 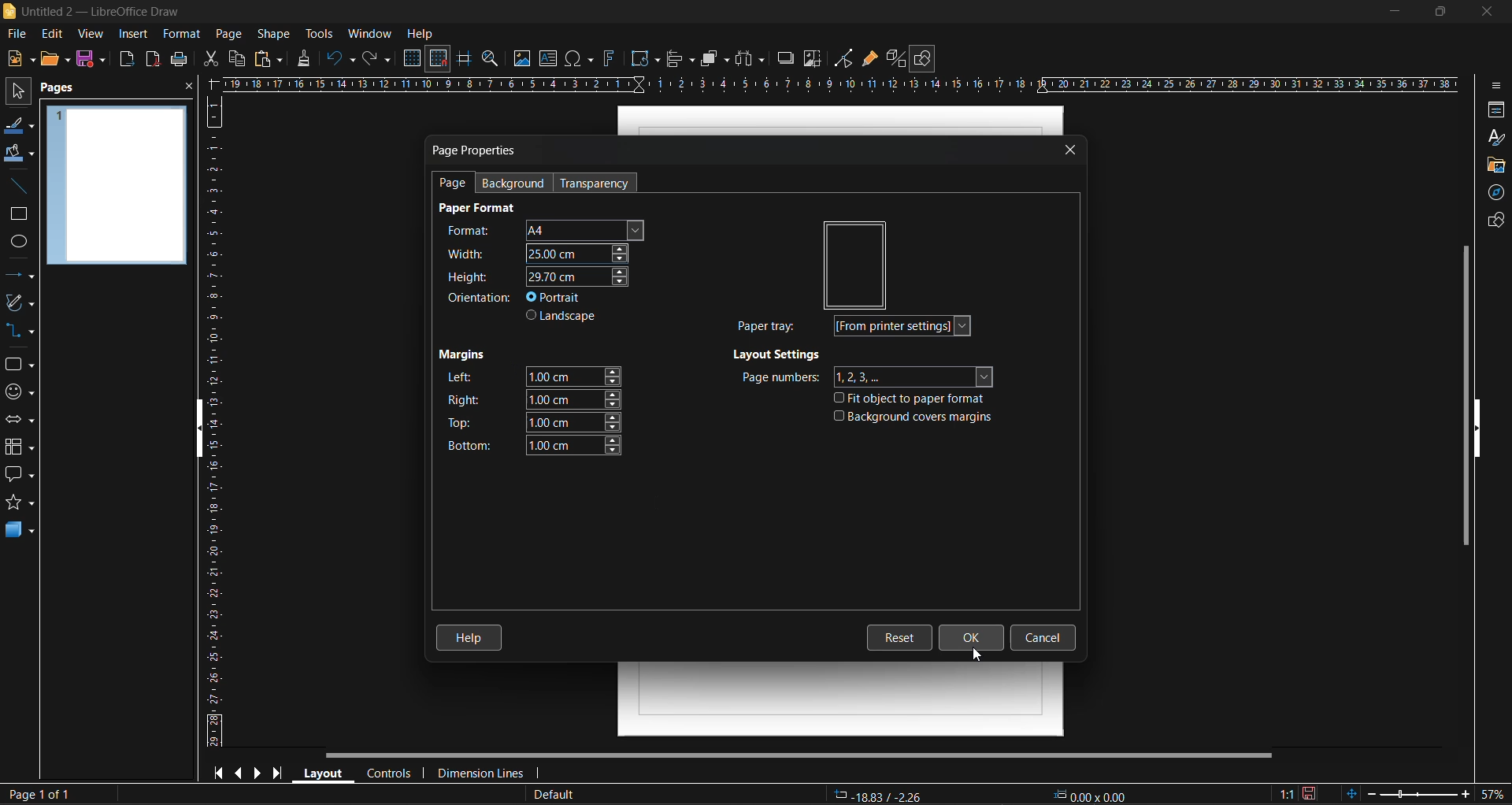 I want to click on hide, so click(x=192, y=429).